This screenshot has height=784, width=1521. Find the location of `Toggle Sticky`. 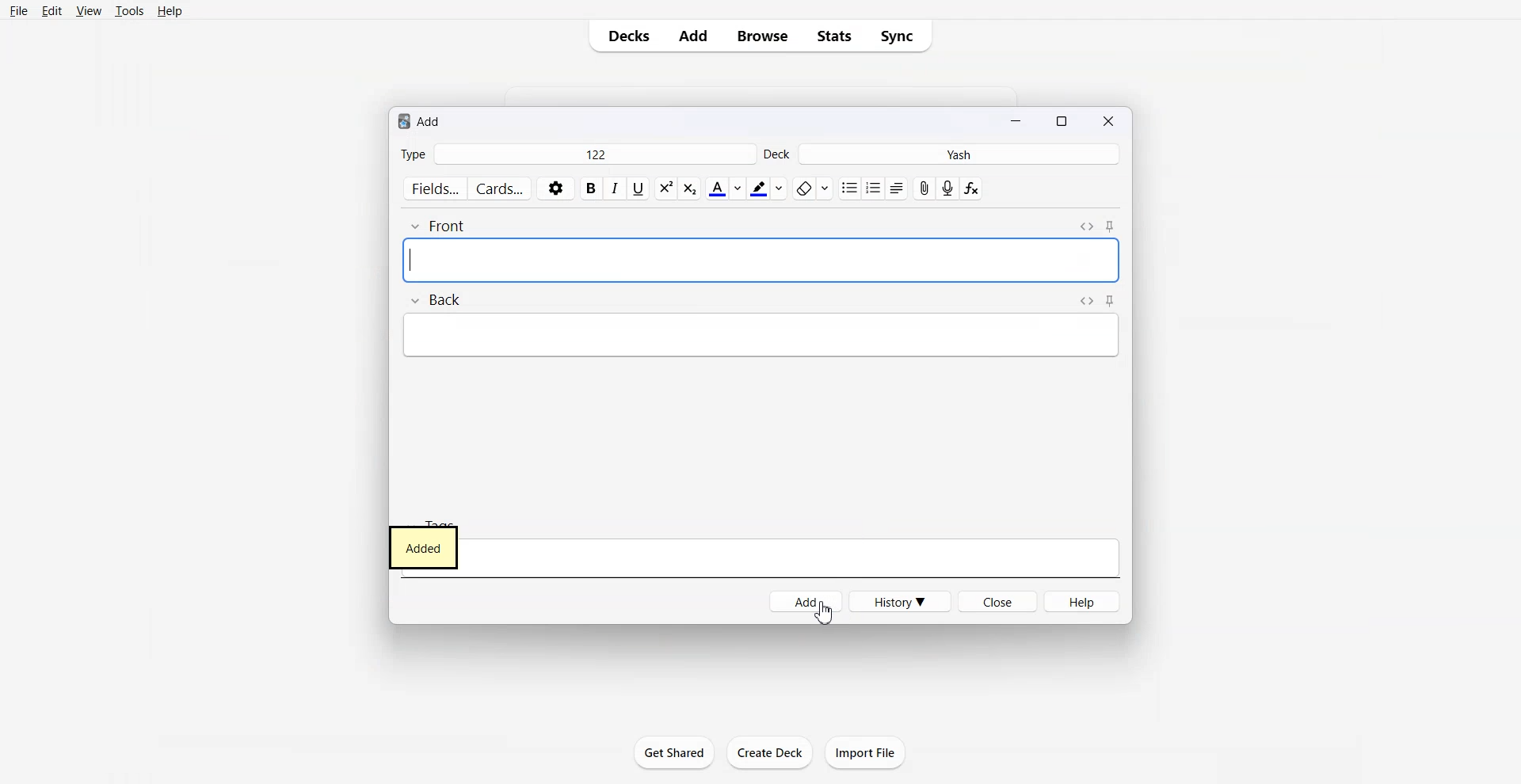

Toggle Sticky is located at coordinates (1111, 227).